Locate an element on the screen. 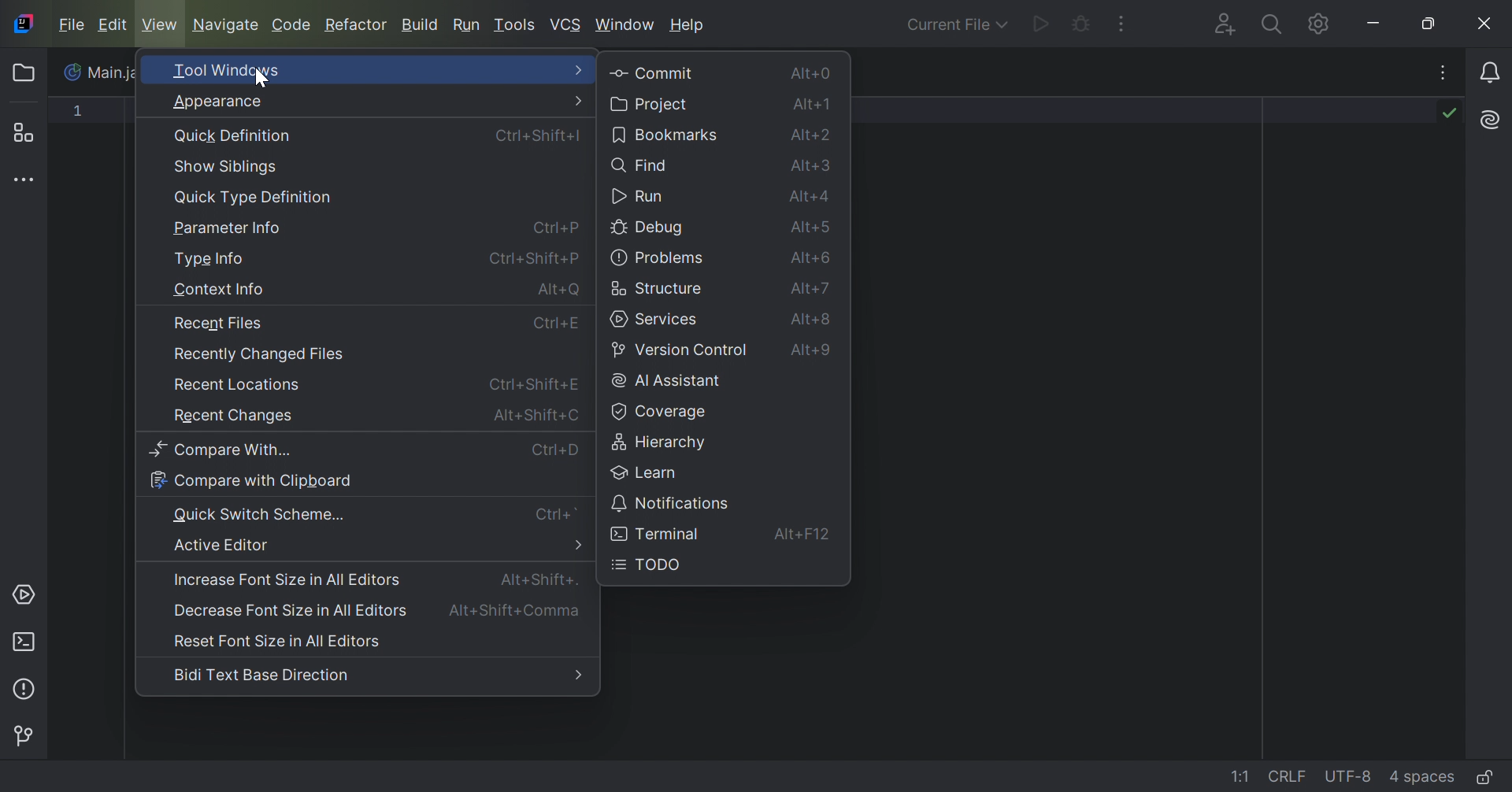 This screenshot has height=792, width=1512. Icon is located at coordinates (22, 23).